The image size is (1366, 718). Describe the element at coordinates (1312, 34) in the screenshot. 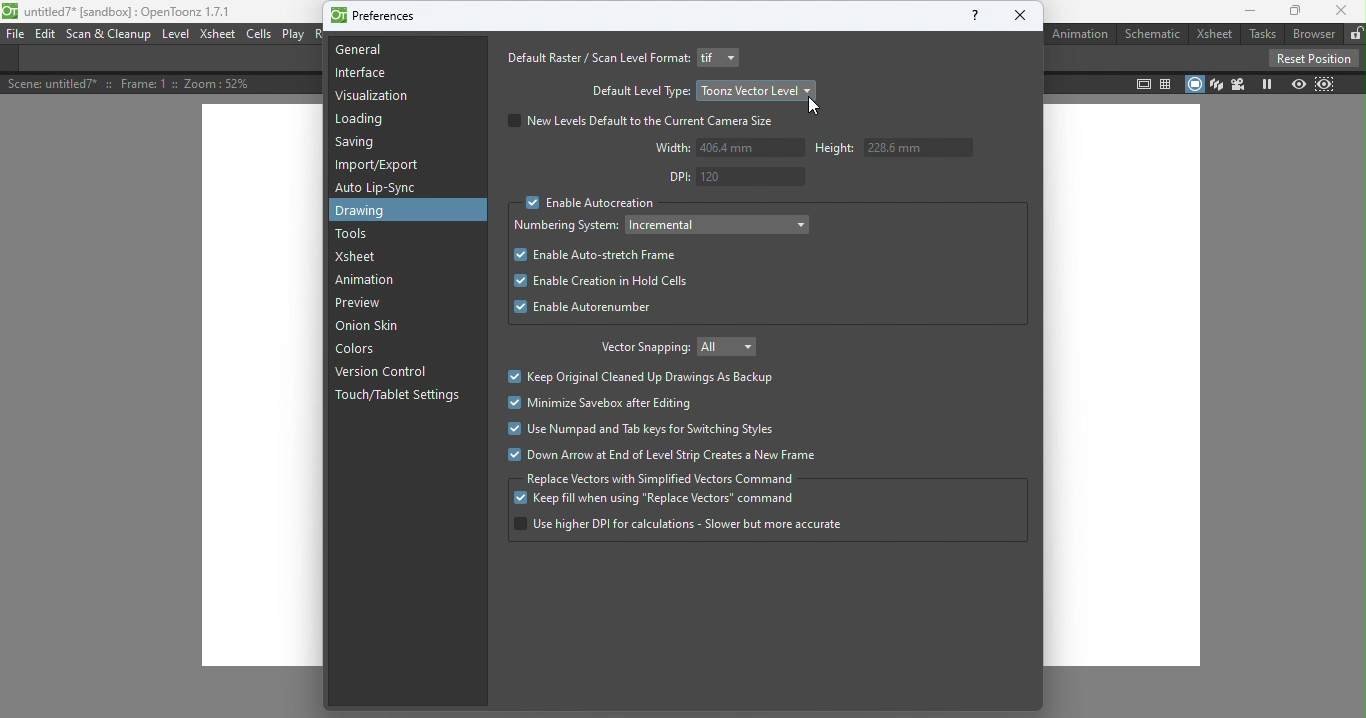

I see `Browser` at that location.